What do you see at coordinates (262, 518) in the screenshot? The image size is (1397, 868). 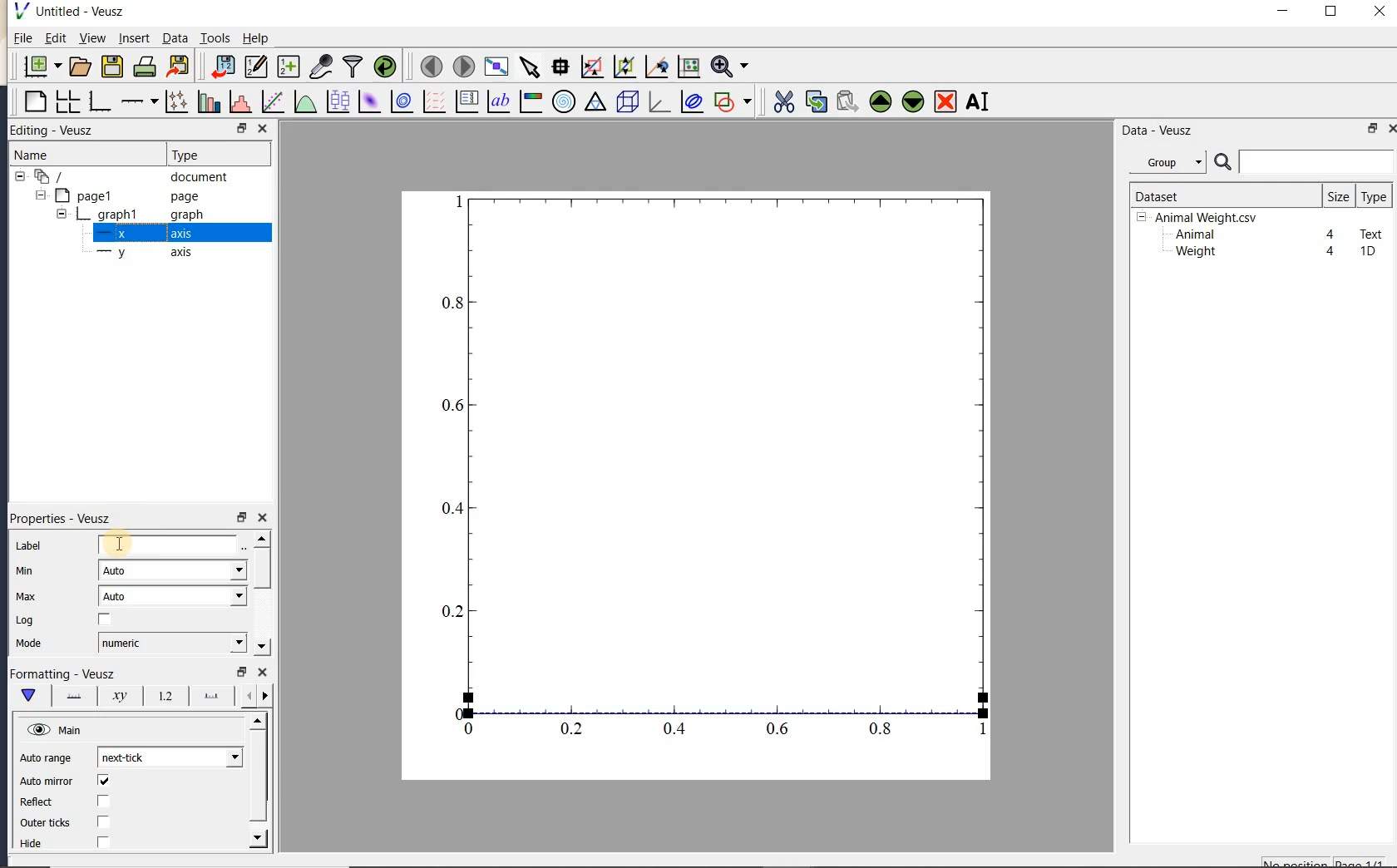 I see `close` at bounding box center [262, 518].